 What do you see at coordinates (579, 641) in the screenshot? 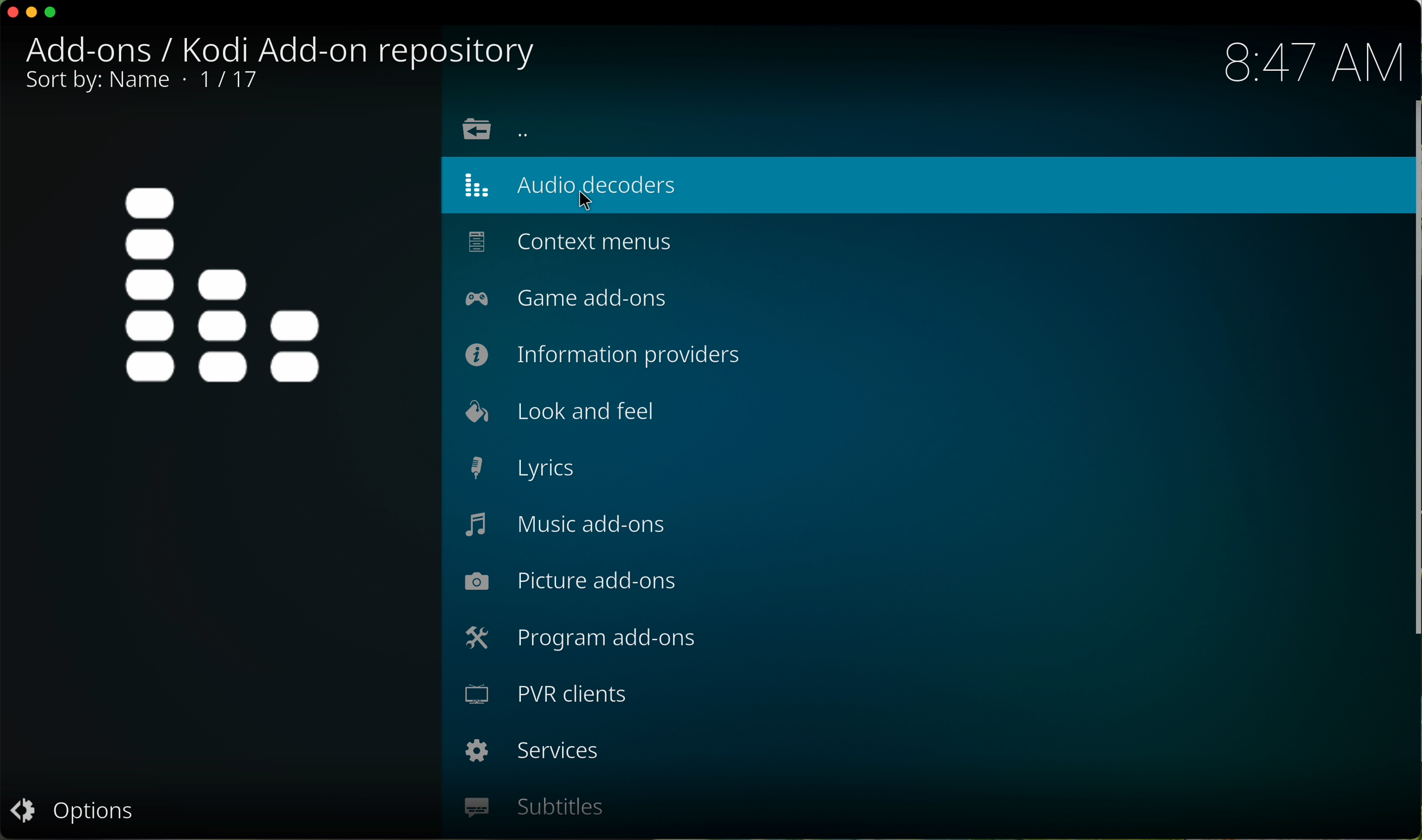
I see `program add-ons` at bounding box center [579, 641].